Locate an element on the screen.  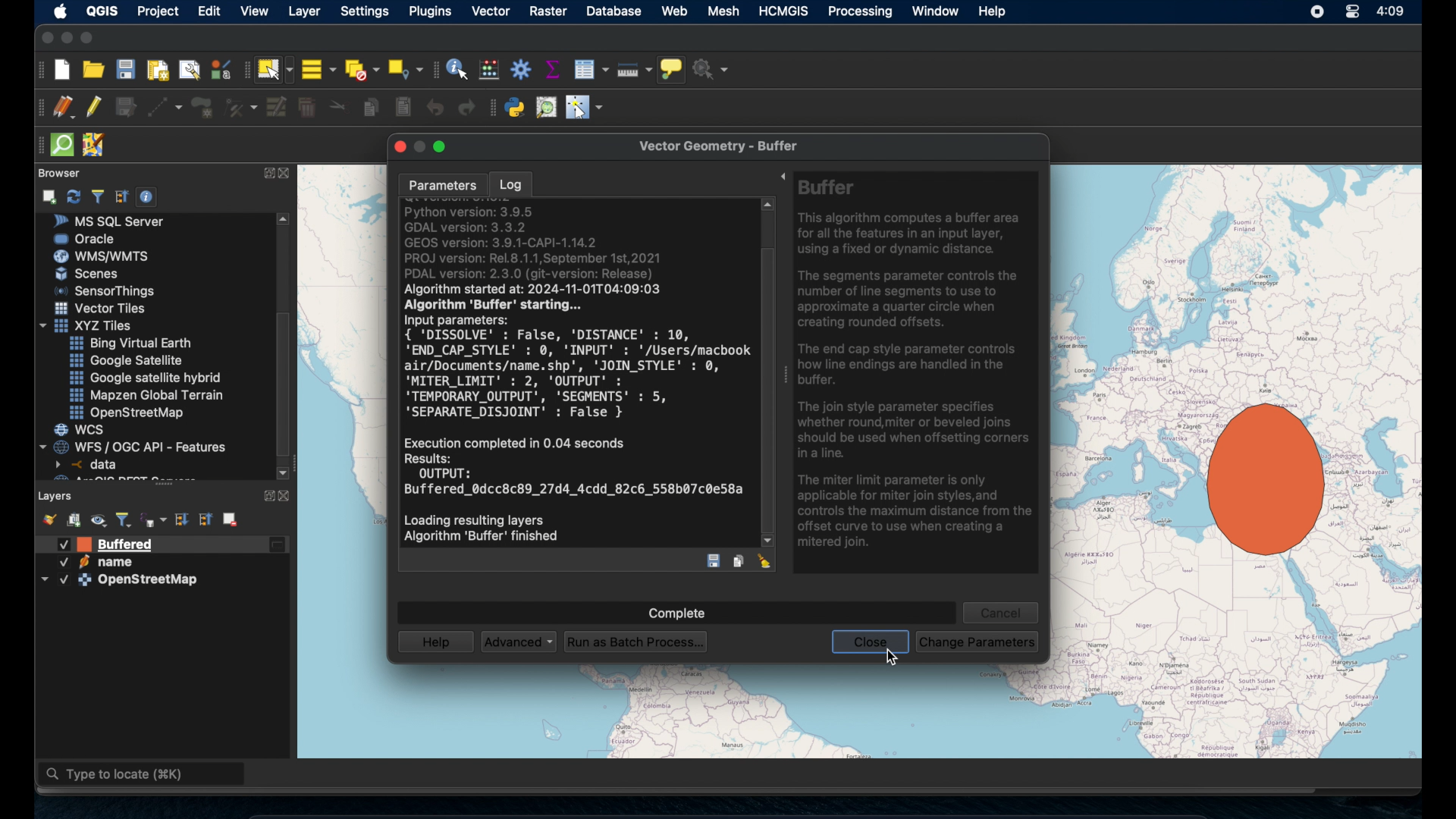
maximize is located at coordinates (90, 38).